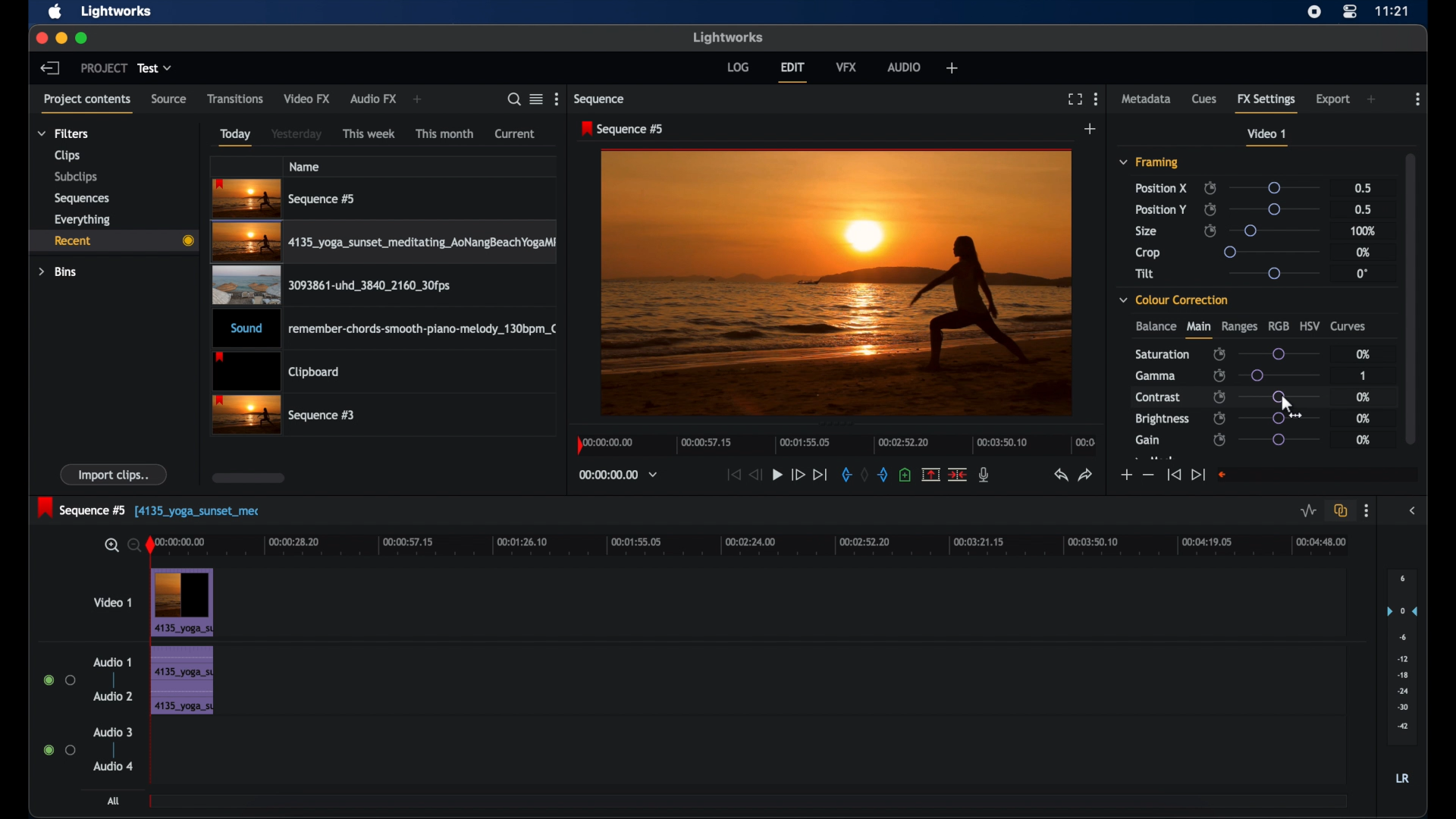 This screenshot has width=1456, height=819. Describe the element at coordinates (1278, 354) in the screenshot. I see `slider` at that location.